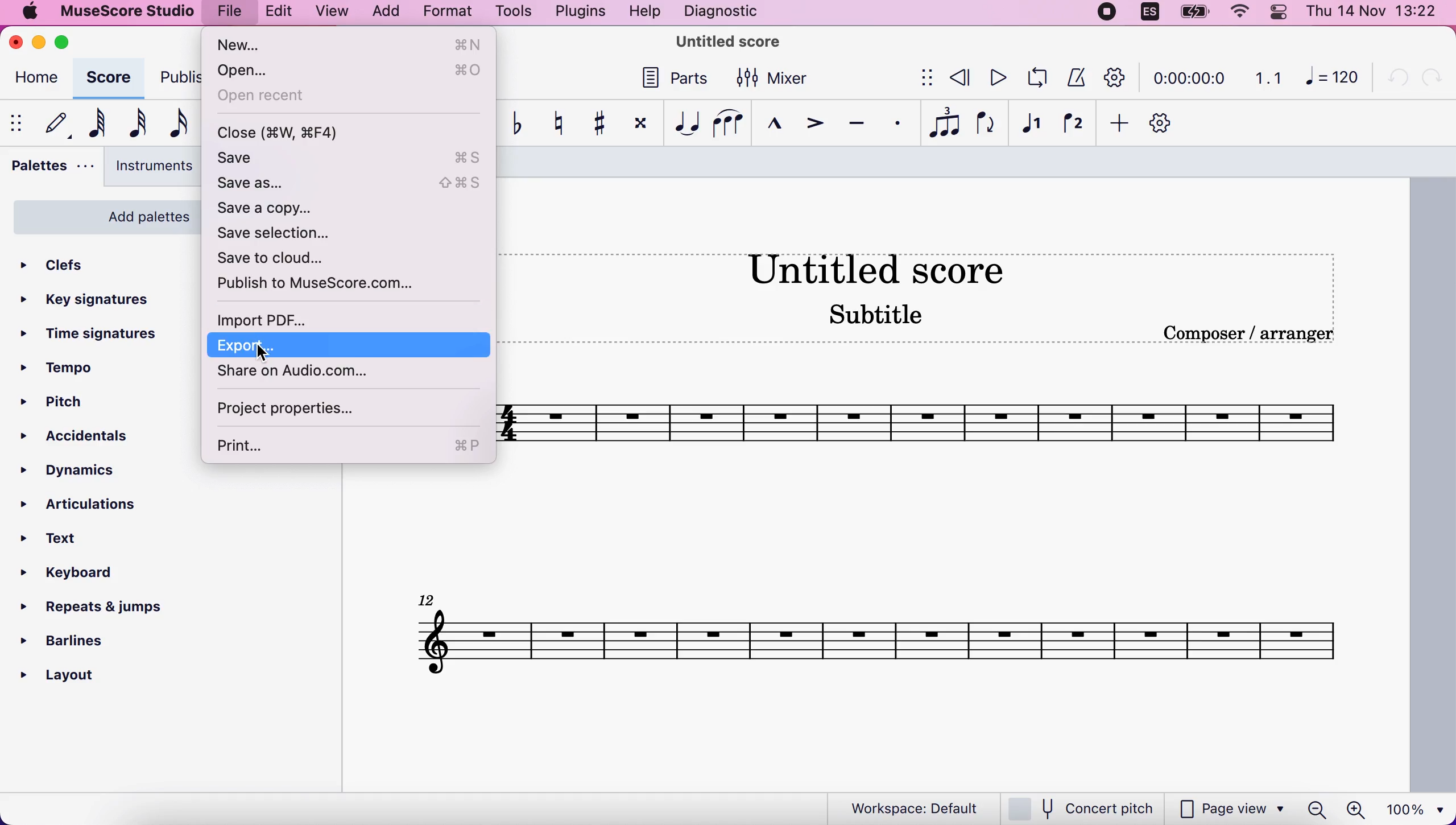 This screenshot has width=1456, height=825. I want to click on help, so click(642, 13).